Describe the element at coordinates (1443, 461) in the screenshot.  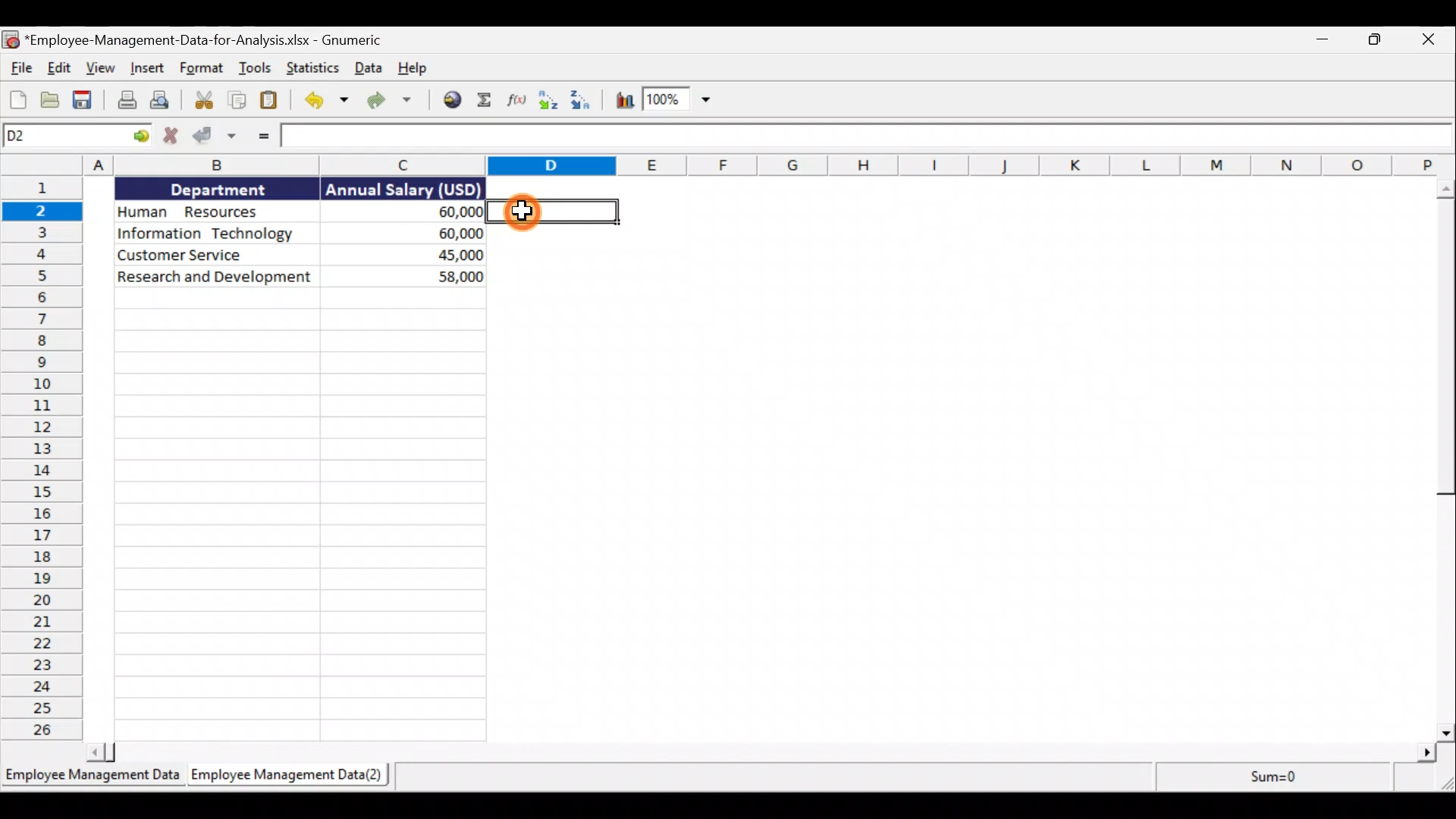
I see `scroll bar` at that location.